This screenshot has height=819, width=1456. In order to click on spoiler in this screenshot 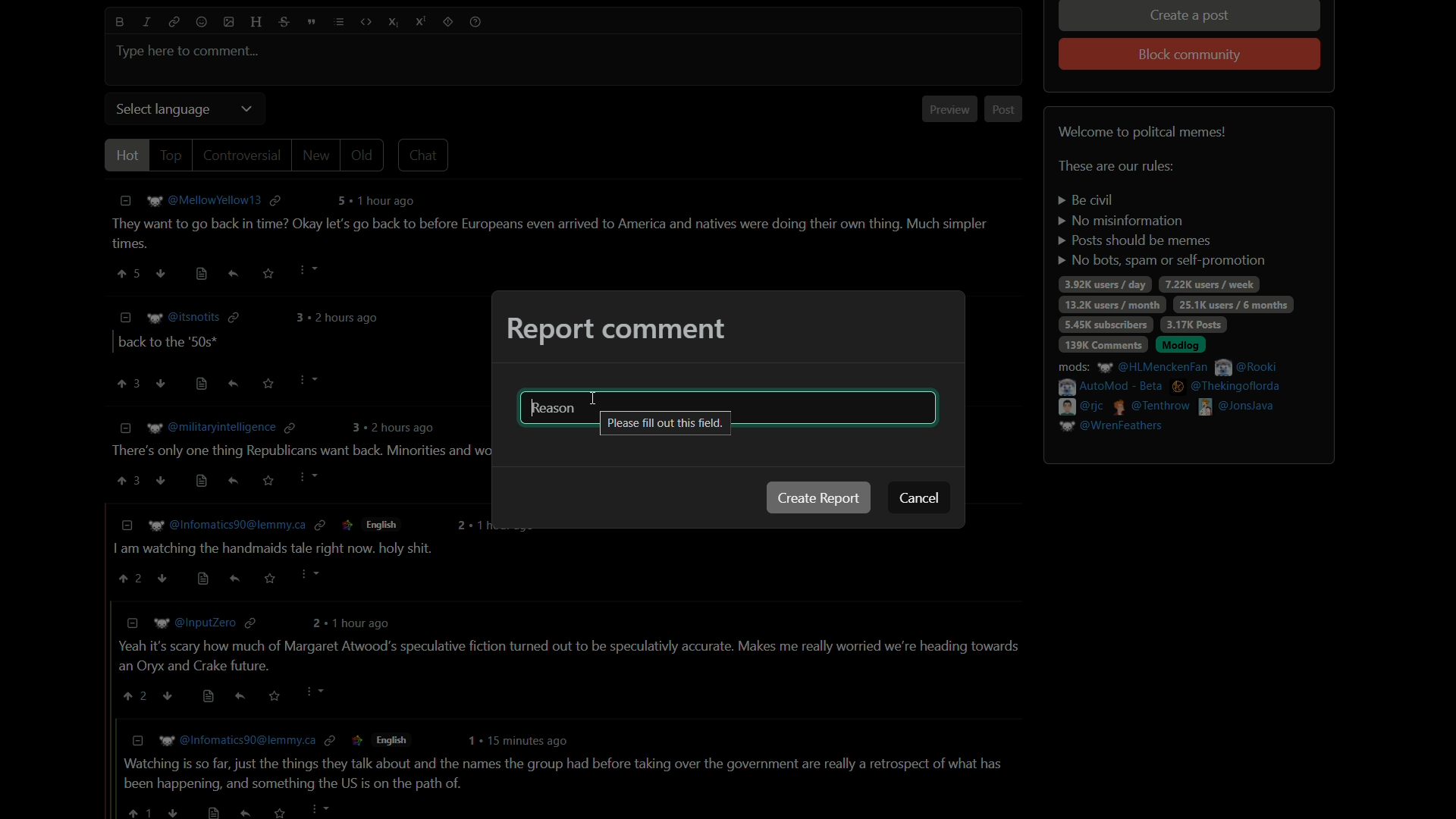, I will do `click(448, 22)`.